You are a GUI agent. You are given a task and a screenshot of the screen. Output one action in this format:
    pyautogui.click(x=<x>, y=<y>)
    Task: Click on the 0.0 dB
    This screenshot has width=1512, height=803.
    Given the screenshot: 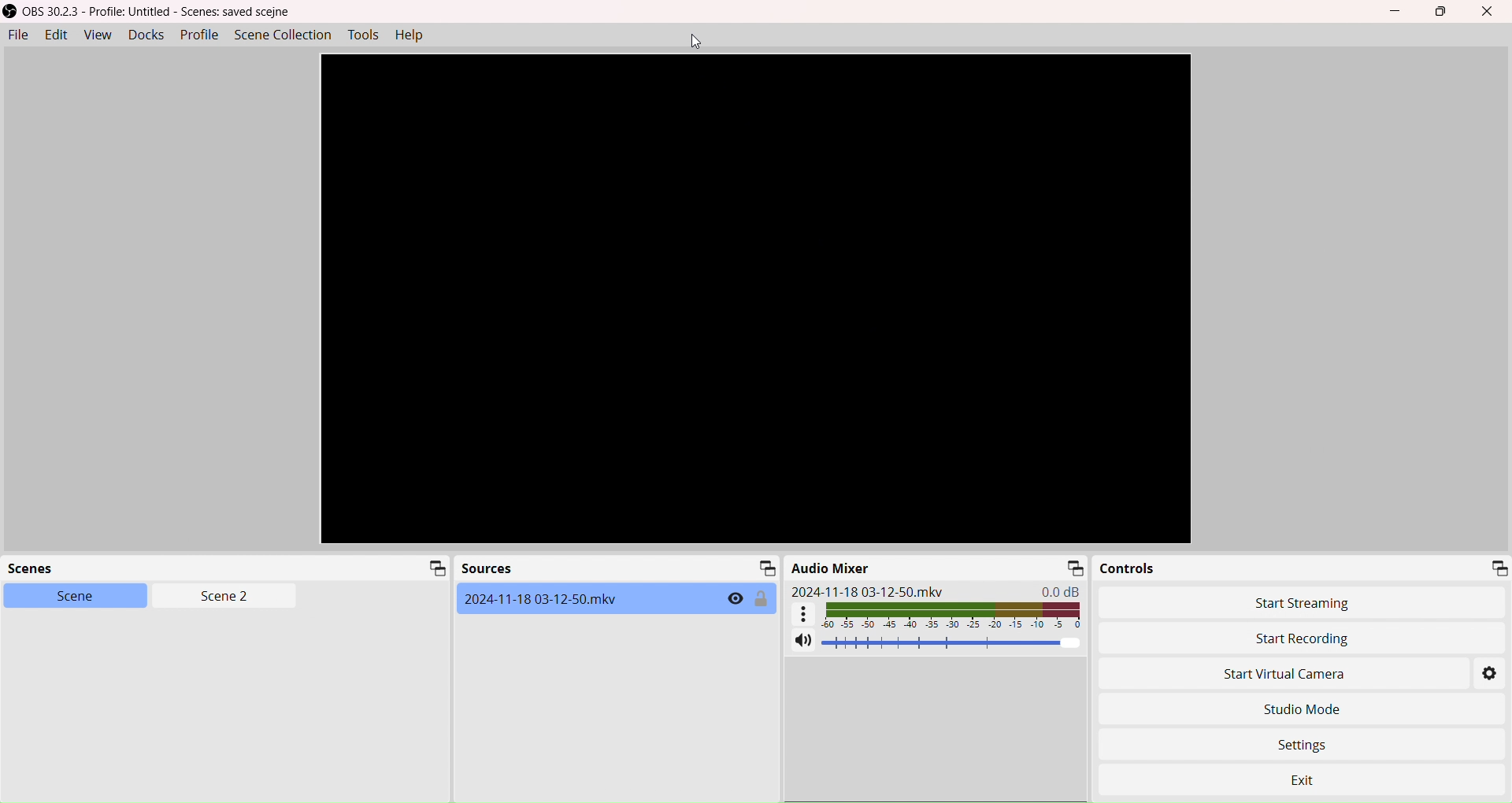 What is the action you would take?
    pyautogui.click(x=1064, y=590)
    